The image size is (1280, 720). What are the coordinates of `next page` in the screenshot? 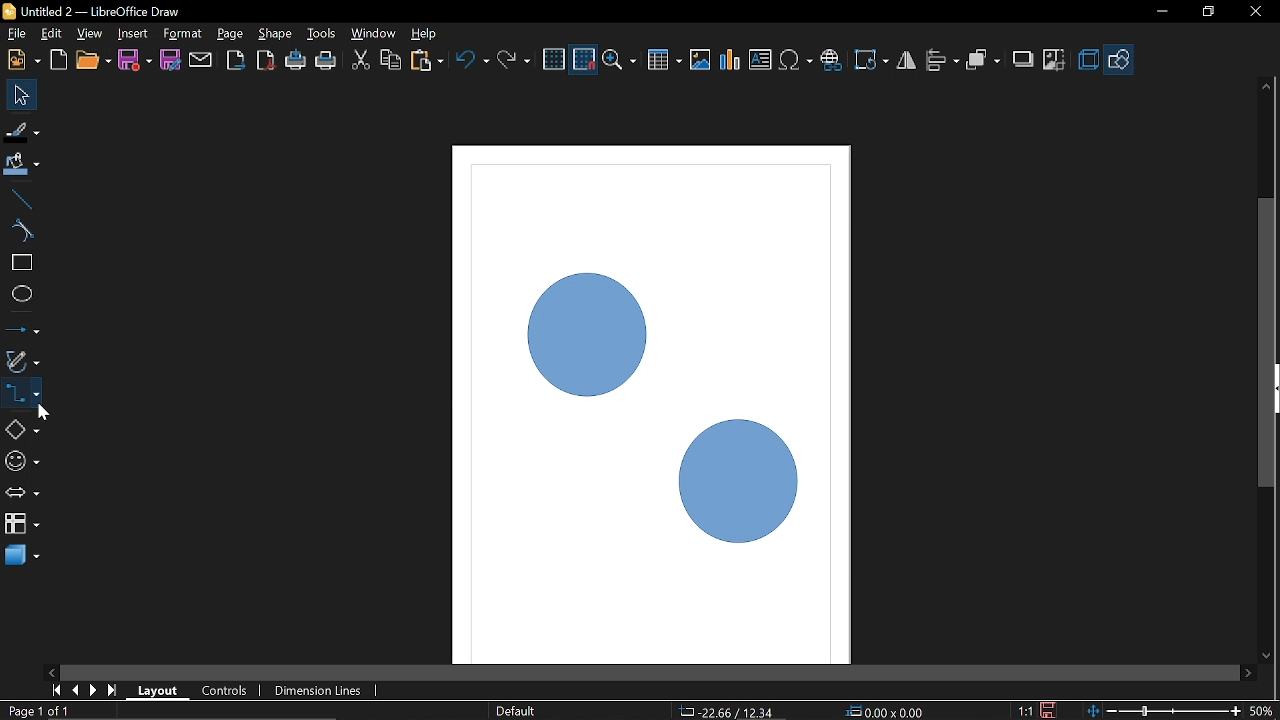 It's located at (94, 689).